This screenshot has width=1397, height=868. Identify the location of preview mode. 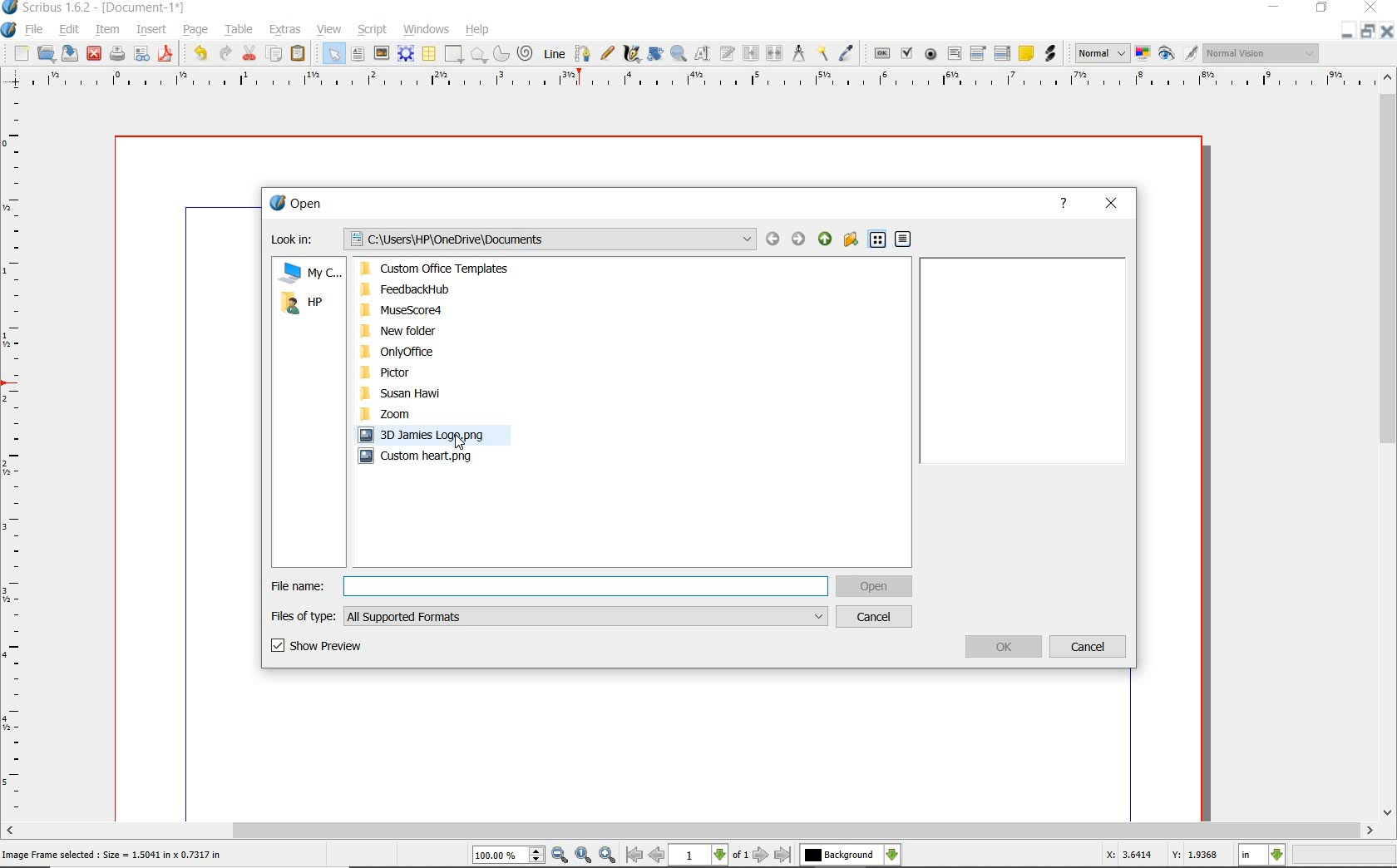
(1167, 55).